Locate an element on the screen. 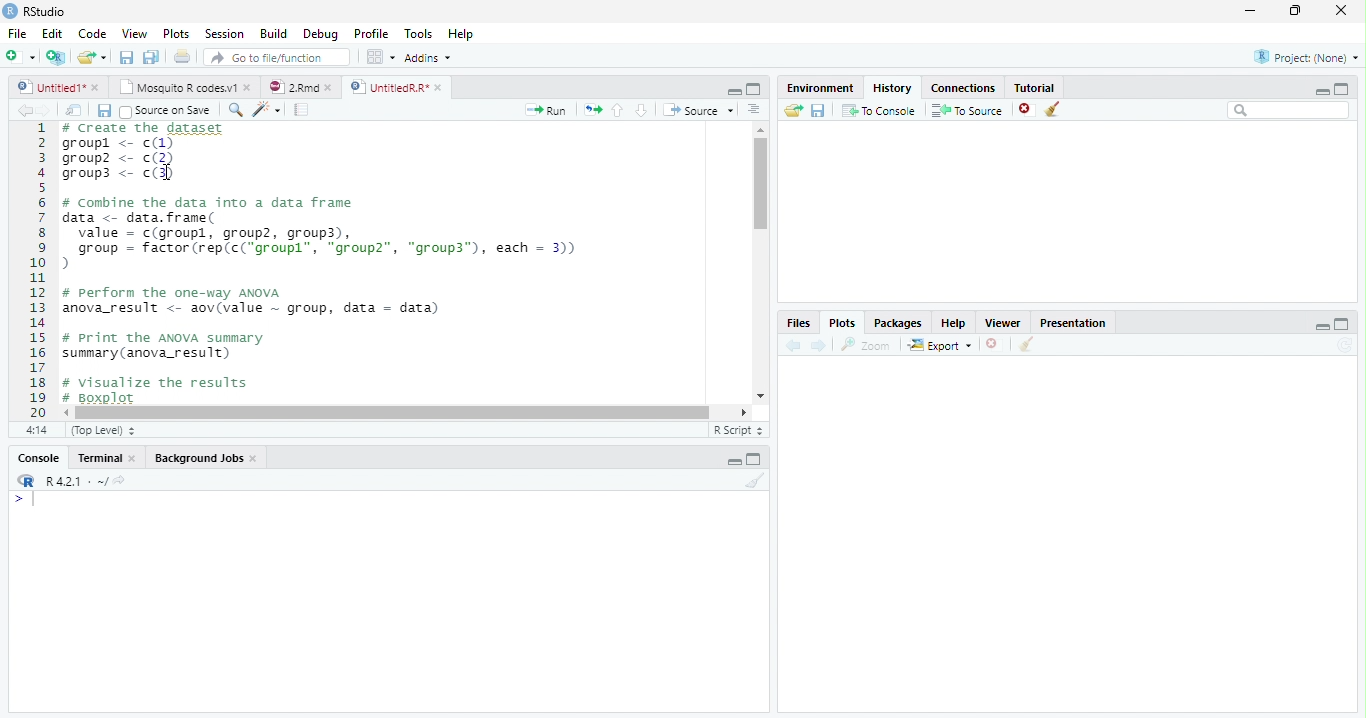 The image size is (1366, 718). Go to next section  is located at coordinates (642, 111).